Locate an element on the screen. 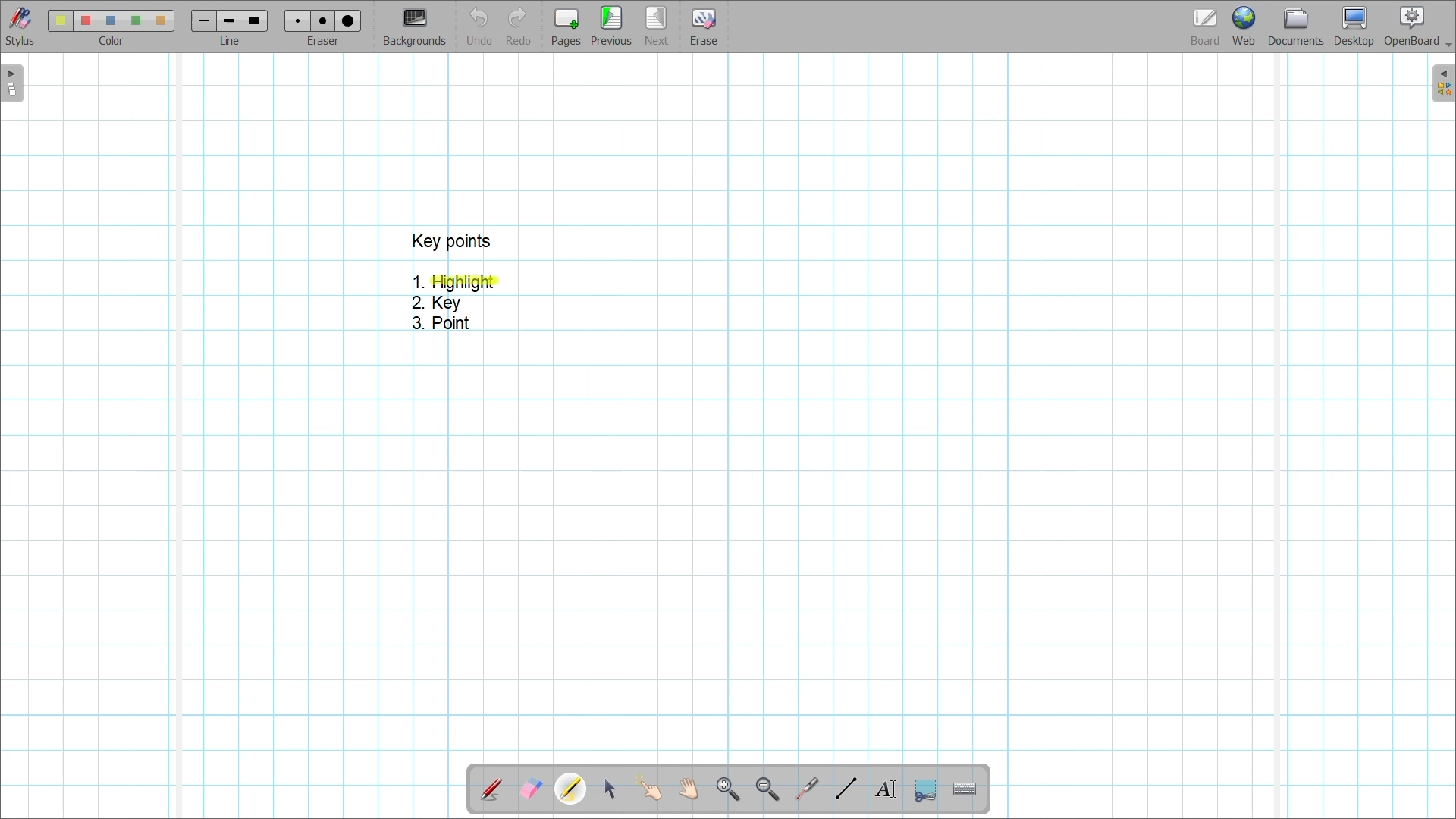 This screenshot has height=819, width=1456. Erase entire page is located at coordinates (703, 27).